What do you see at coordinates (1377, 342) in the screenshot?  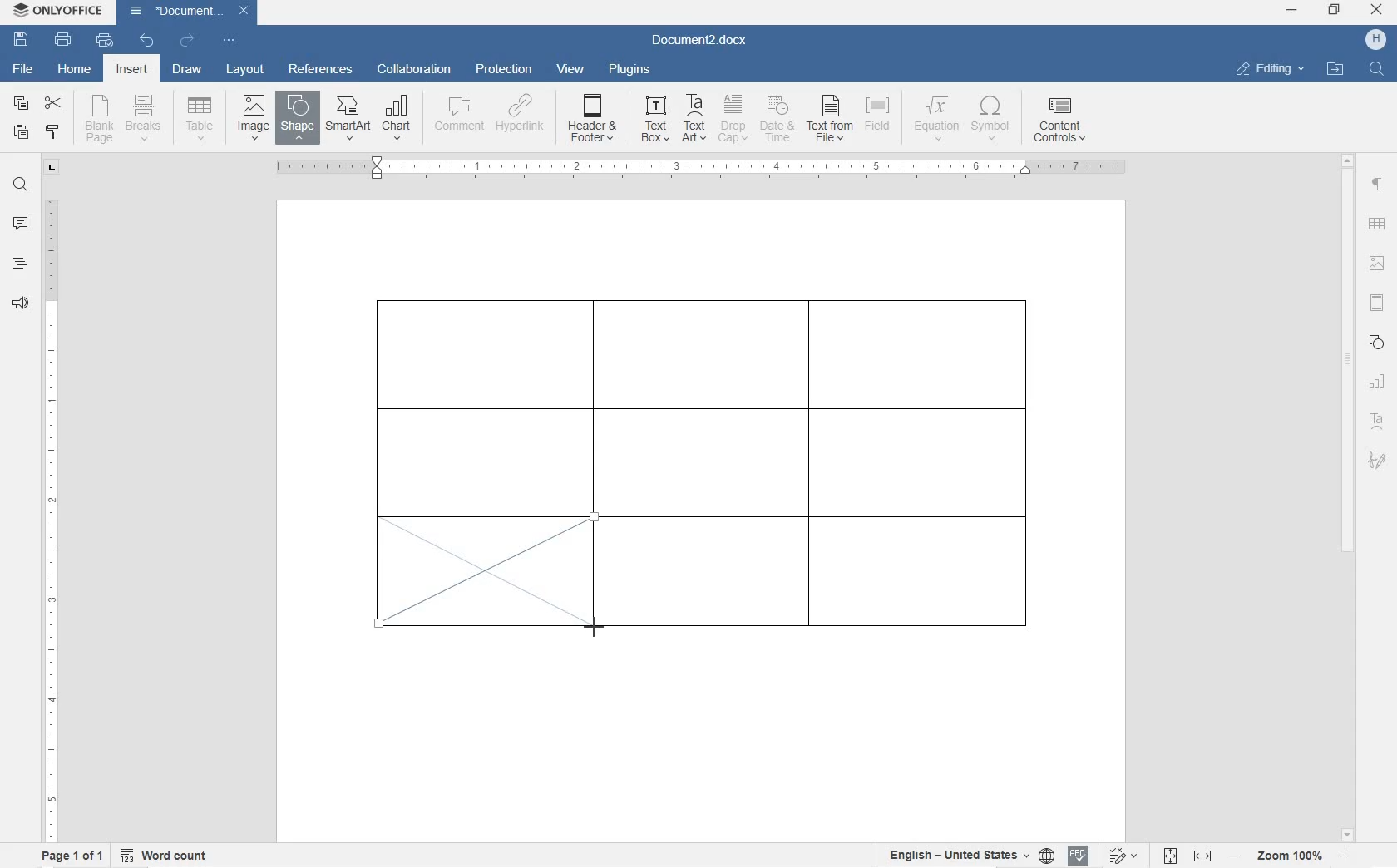 I see `shape` at bounding box center [1377, 342].